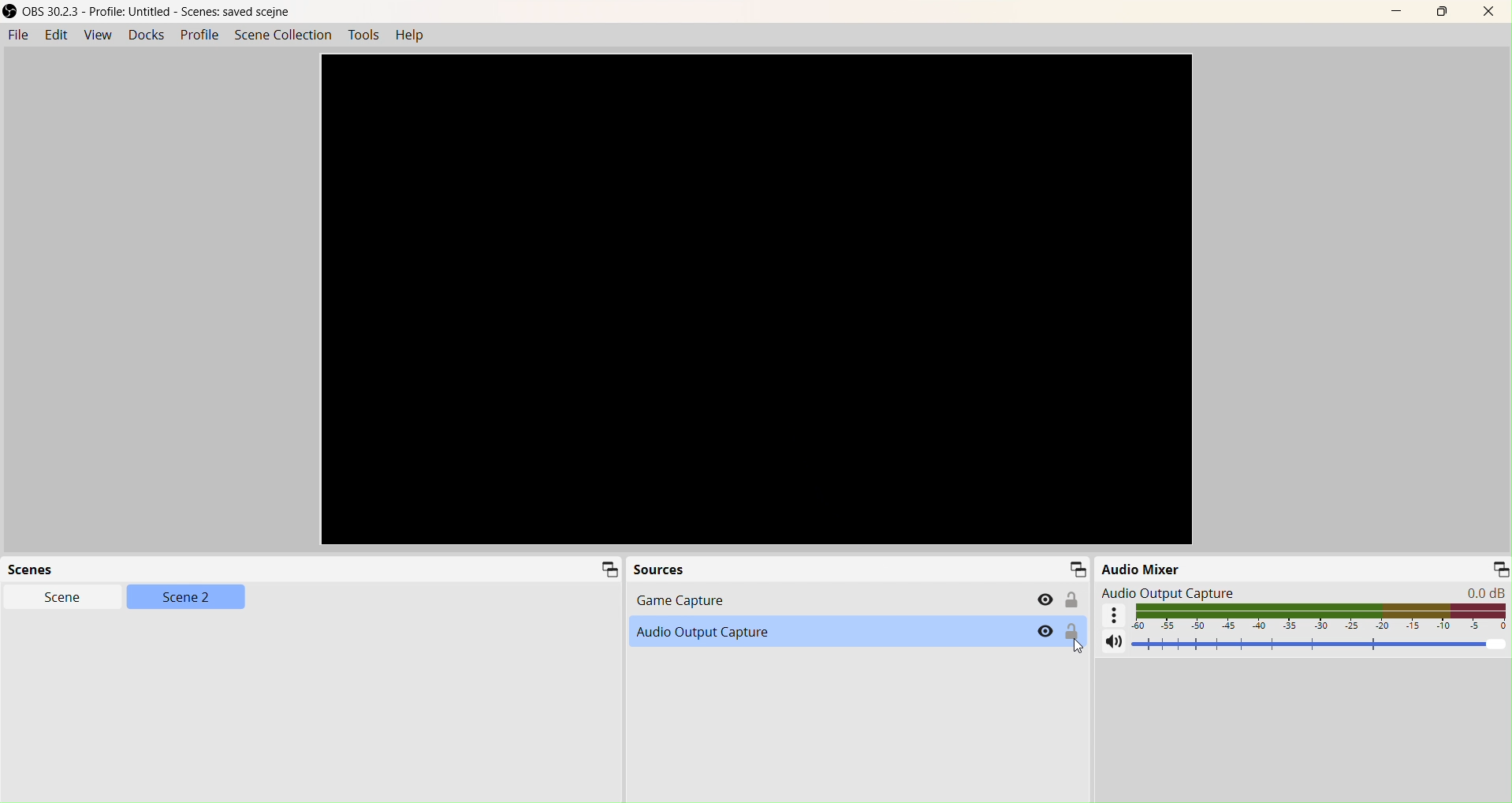 Image resolution: width=1512 pixels, height=803 pixels. I want to click on Docks, so click(146, 35).